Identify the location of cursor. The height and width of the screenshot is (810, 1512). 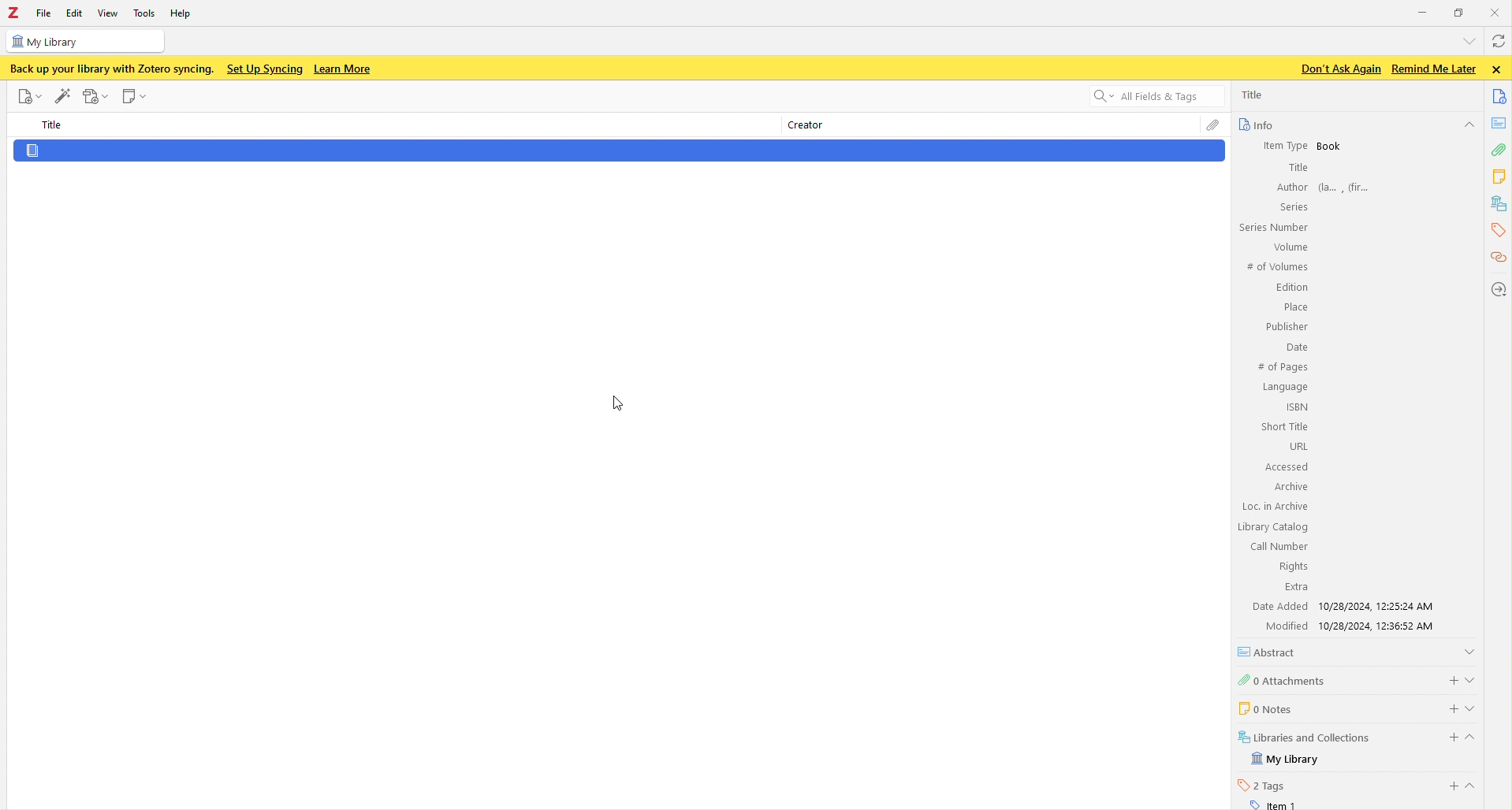
(620, 402).